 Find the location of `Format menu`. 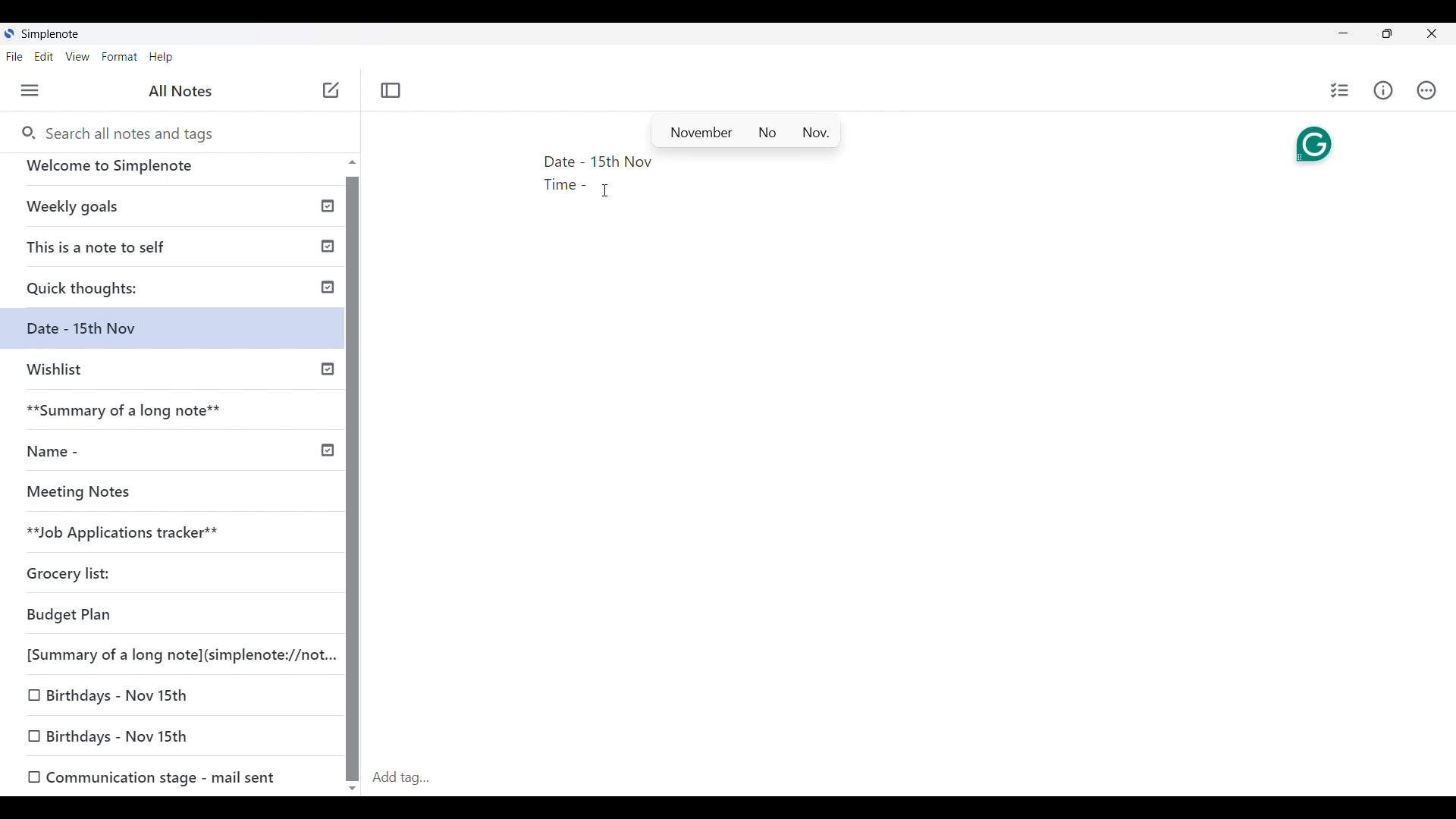

Format menu is located at coordinates (120, 57).